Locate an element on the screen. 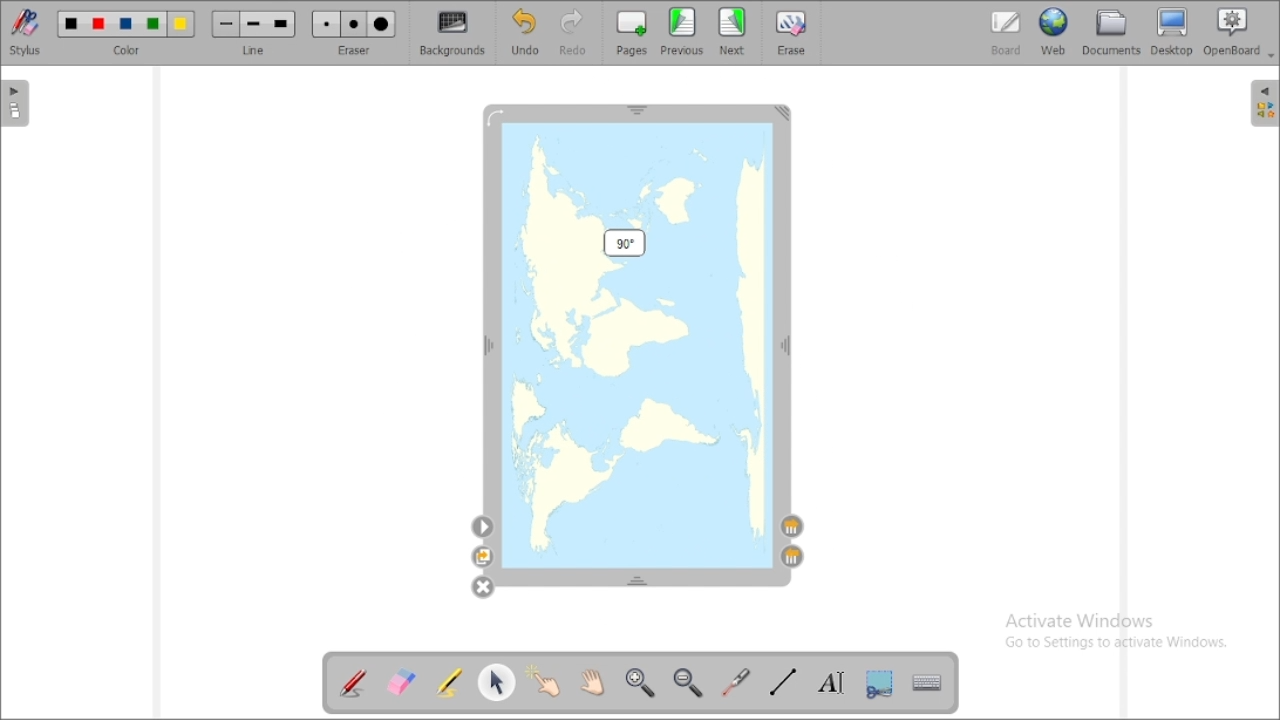  scroll page is located at coordinates (592, 681).